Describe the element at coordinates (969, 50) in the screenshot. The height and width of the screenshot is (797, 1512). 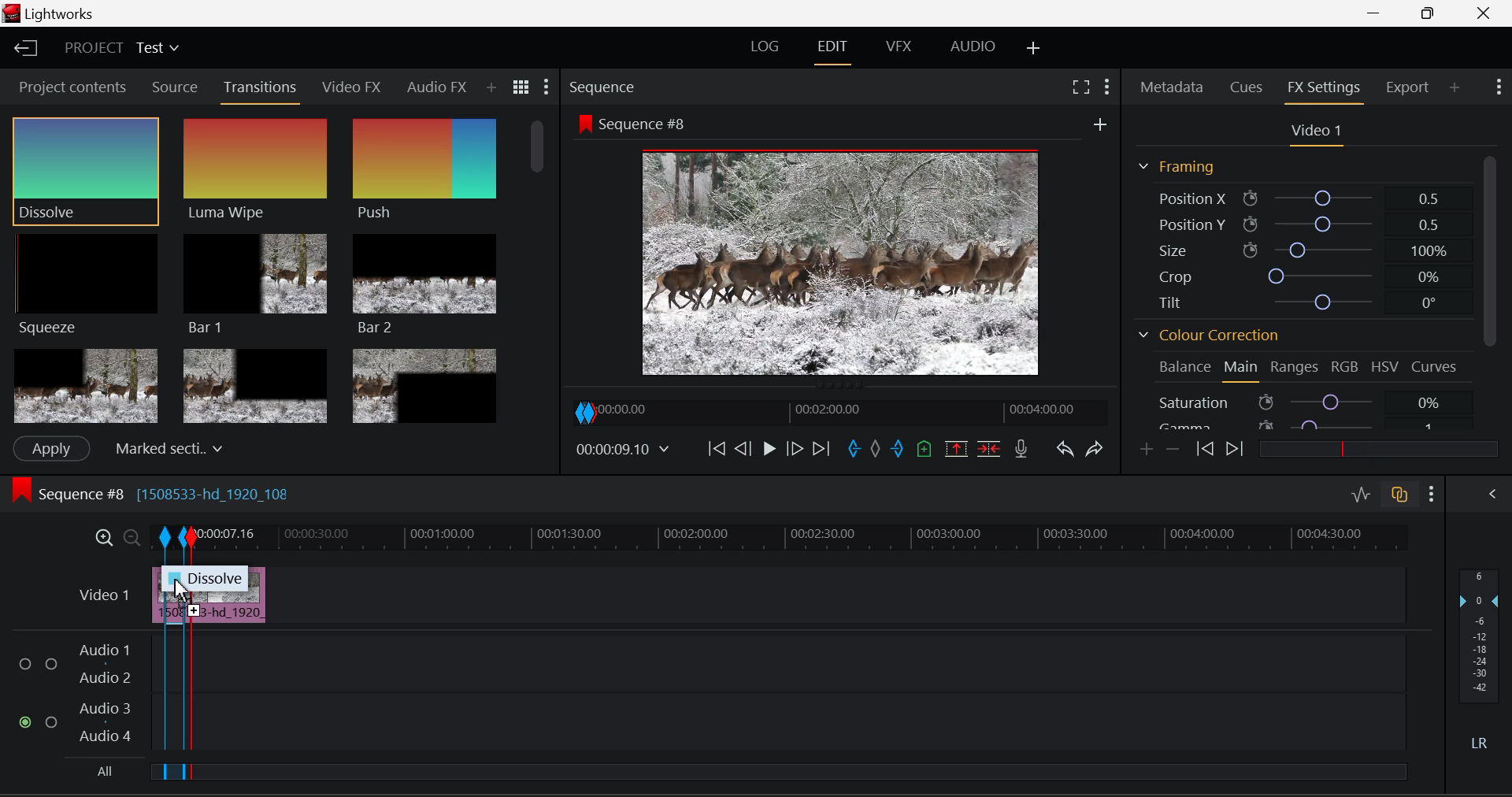
I see `Audio Layout` at that location.